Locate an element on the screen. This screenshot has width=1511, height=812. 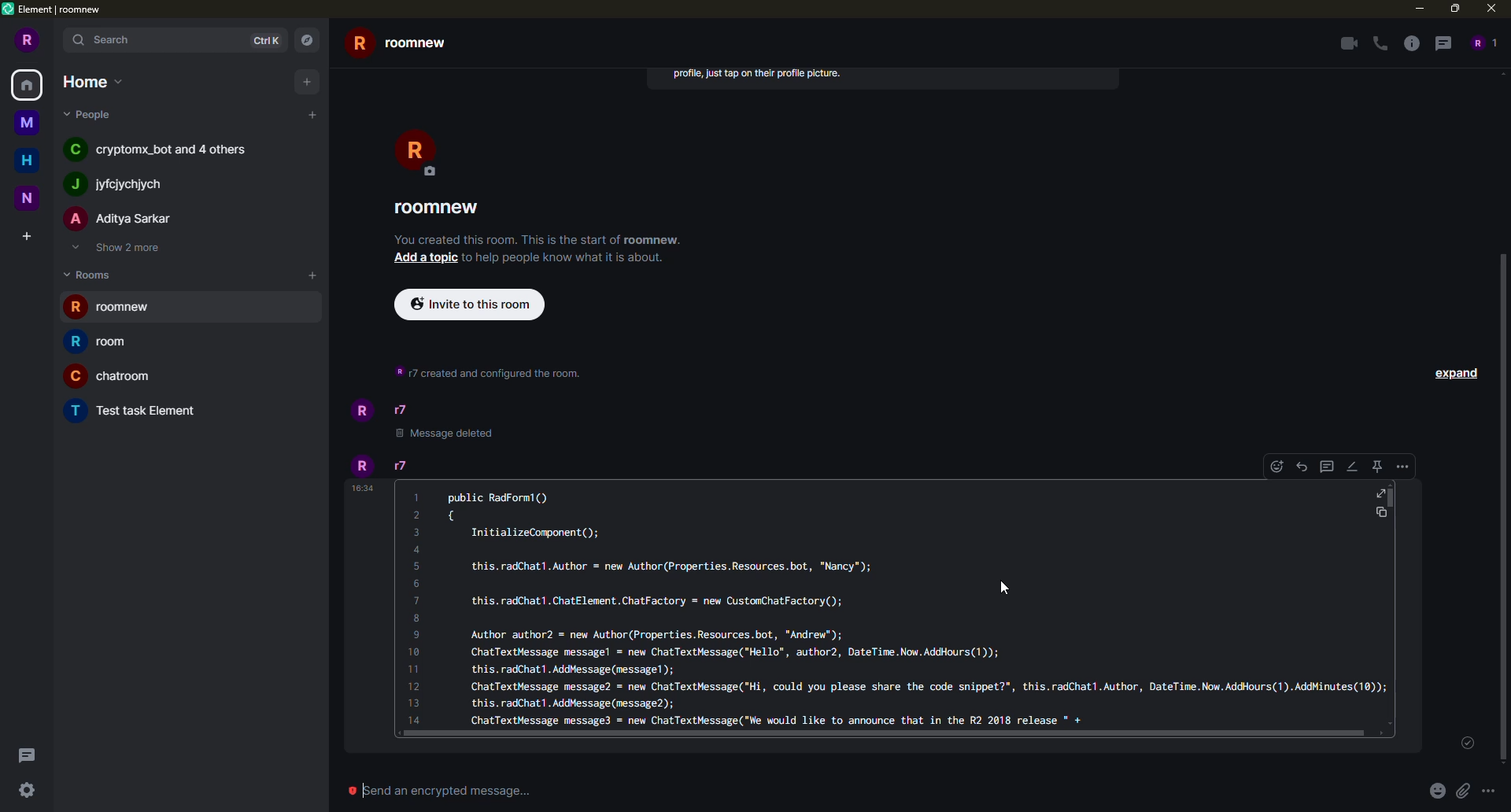
home is located at coordinates (28, 86).